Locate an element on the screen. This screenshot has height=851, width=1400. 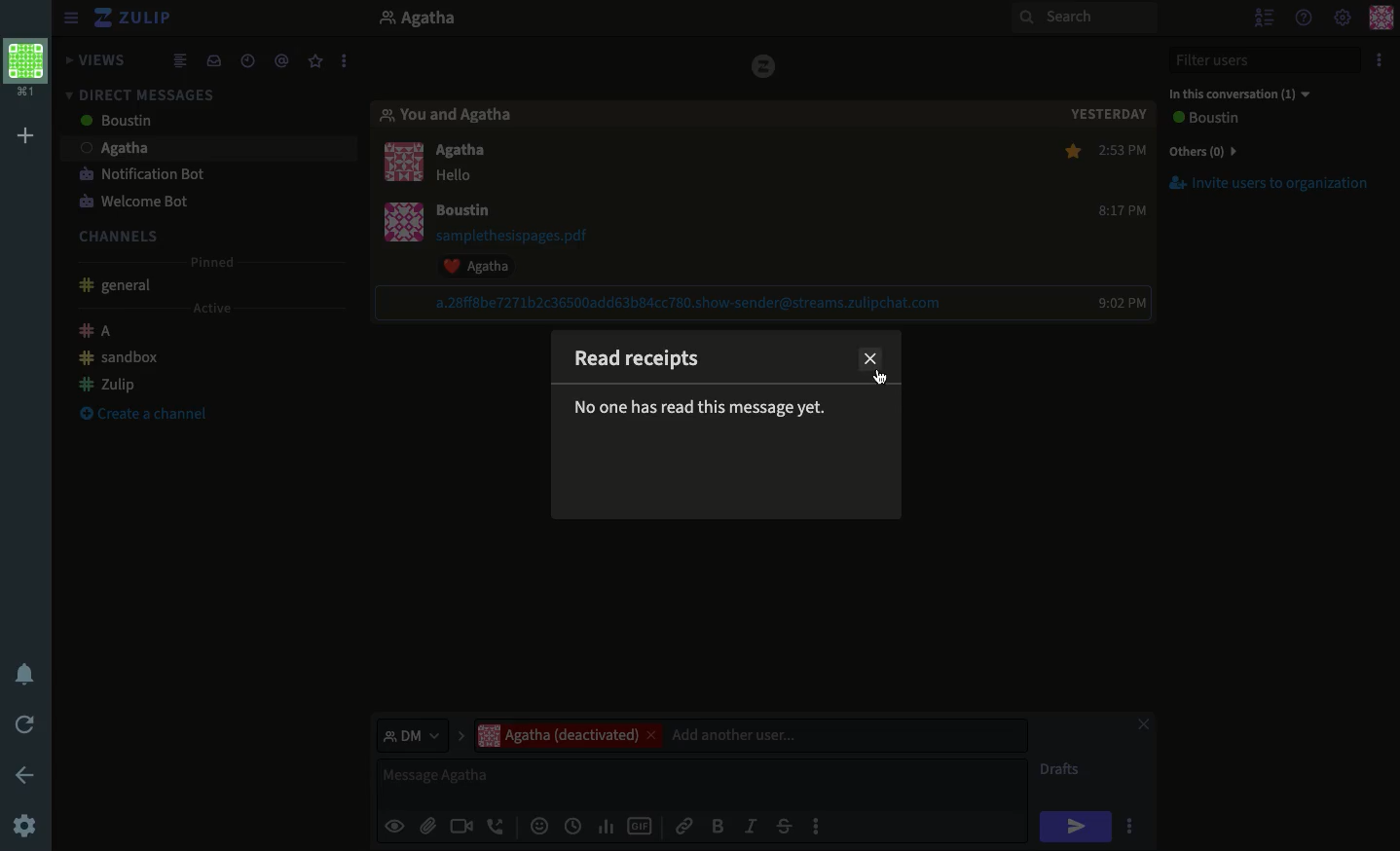
User is located at coordinates (439, 20).